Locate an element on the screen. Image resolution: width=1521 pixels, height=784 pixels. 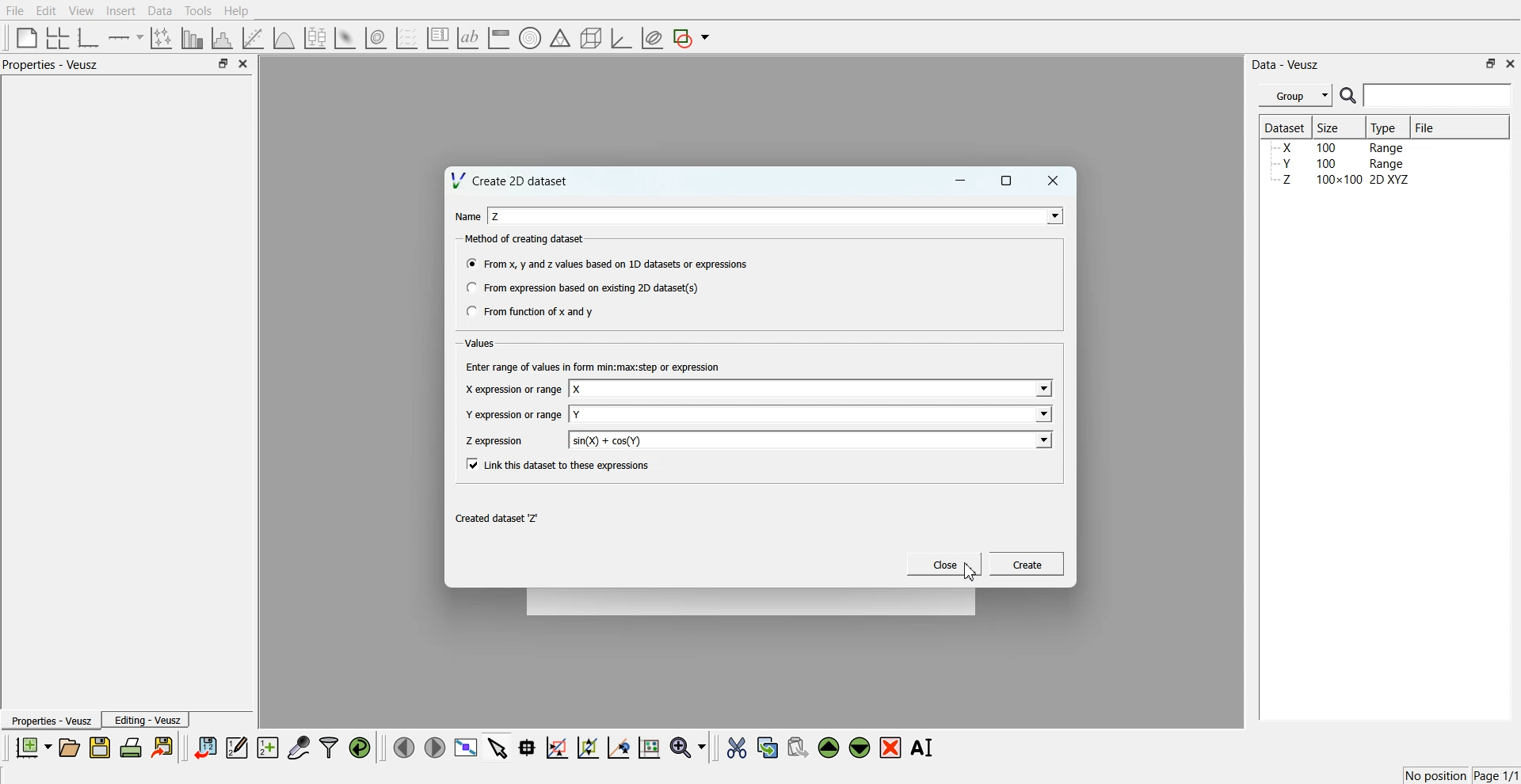
Maximize is located at coordinates (223, 63).